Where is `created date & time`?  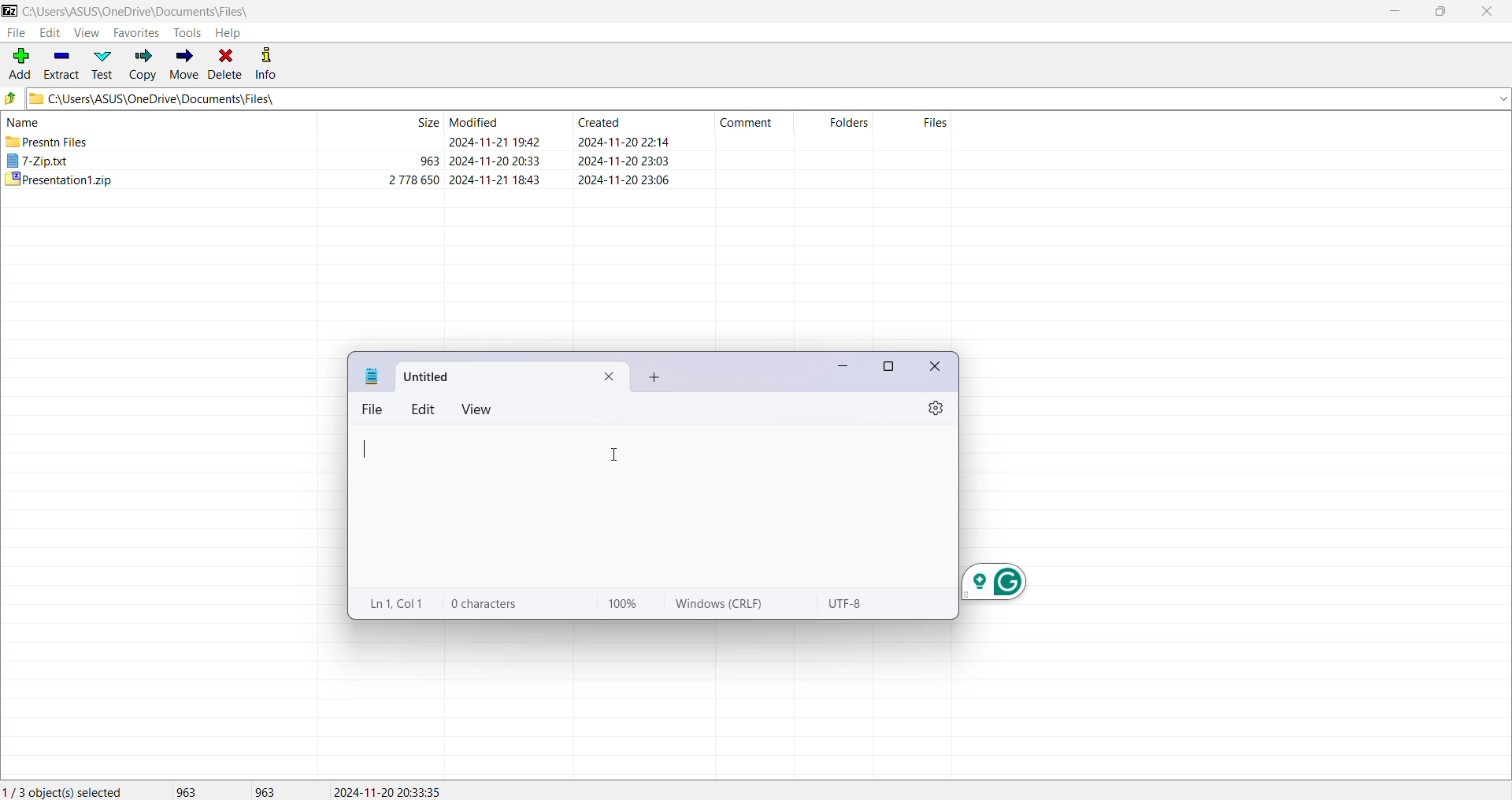 created date & time is located at coordinates (625, 141).